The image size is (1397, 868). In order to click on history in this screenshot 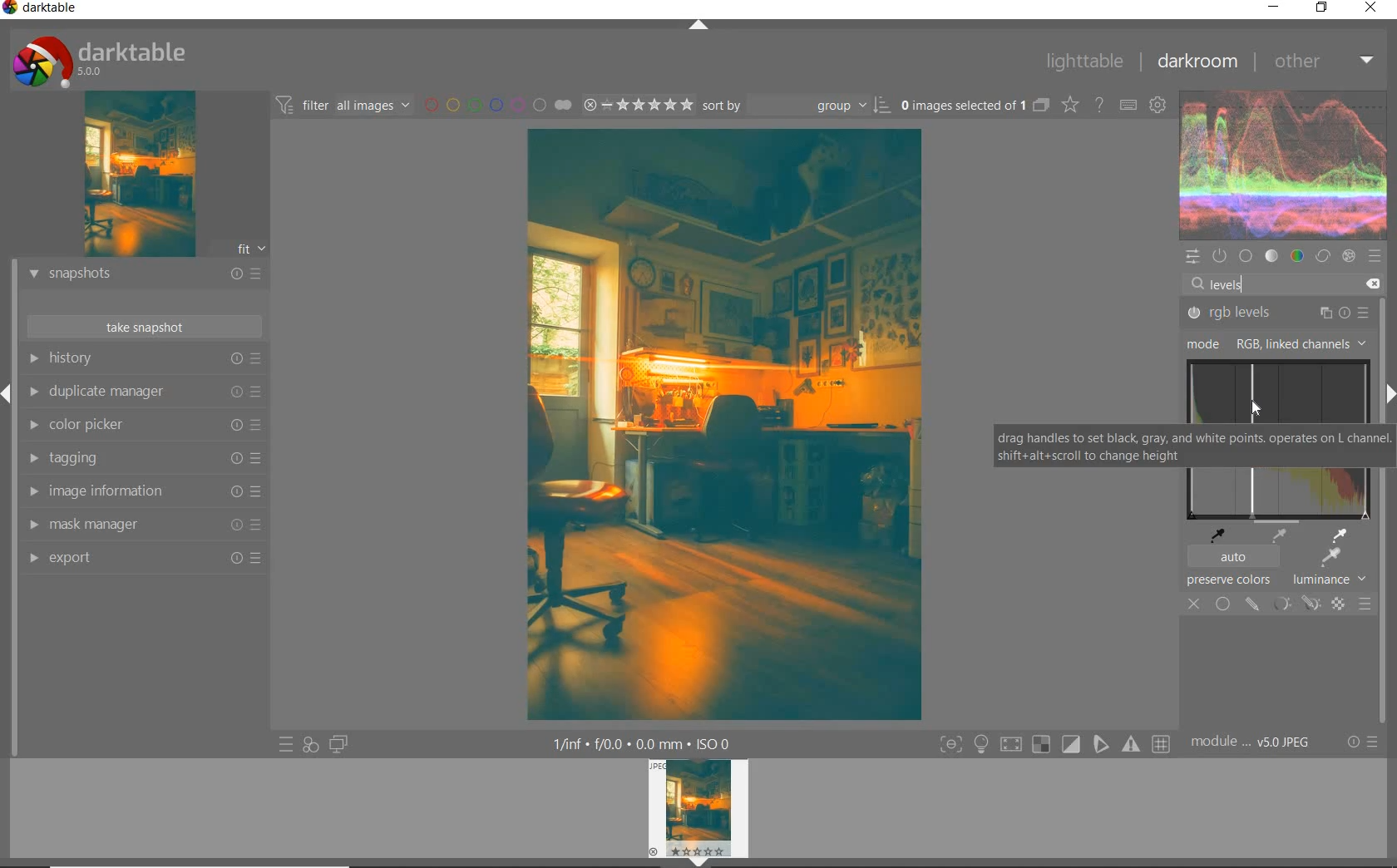, I will do `click(144, 358)`.